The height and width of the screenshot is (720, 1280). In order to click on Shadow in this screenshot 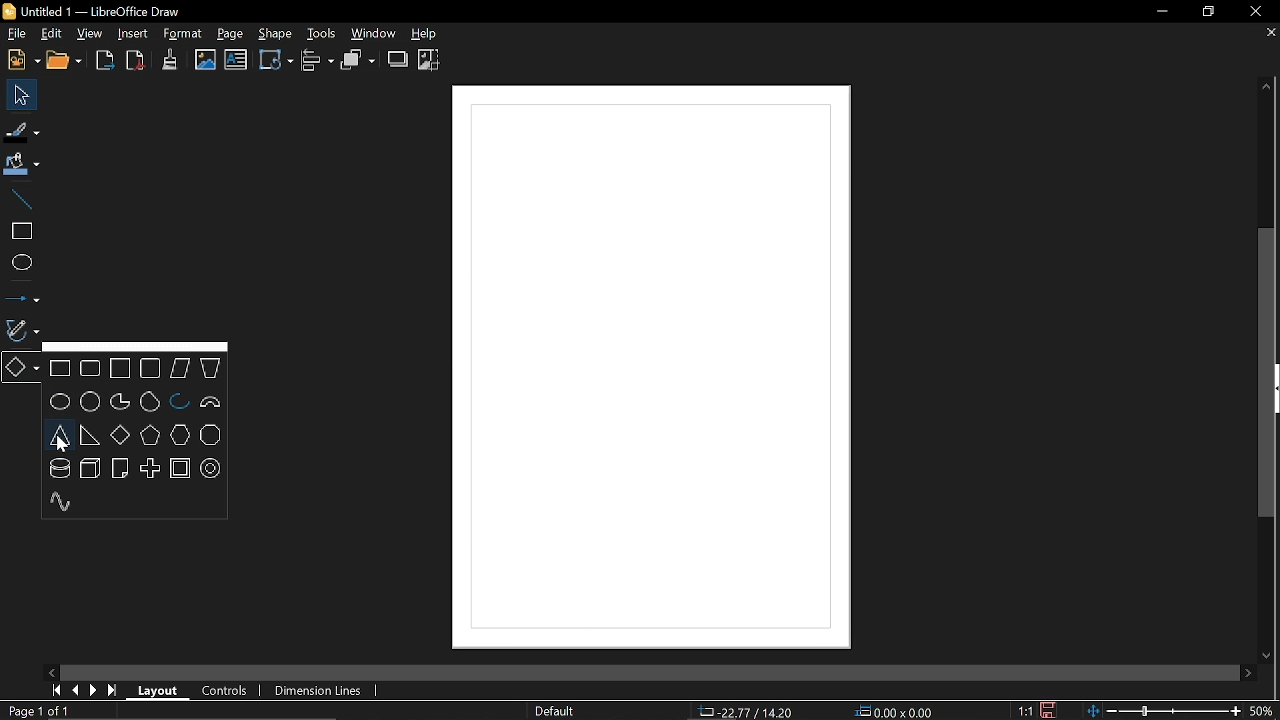, I will do `click(398, 59)`.